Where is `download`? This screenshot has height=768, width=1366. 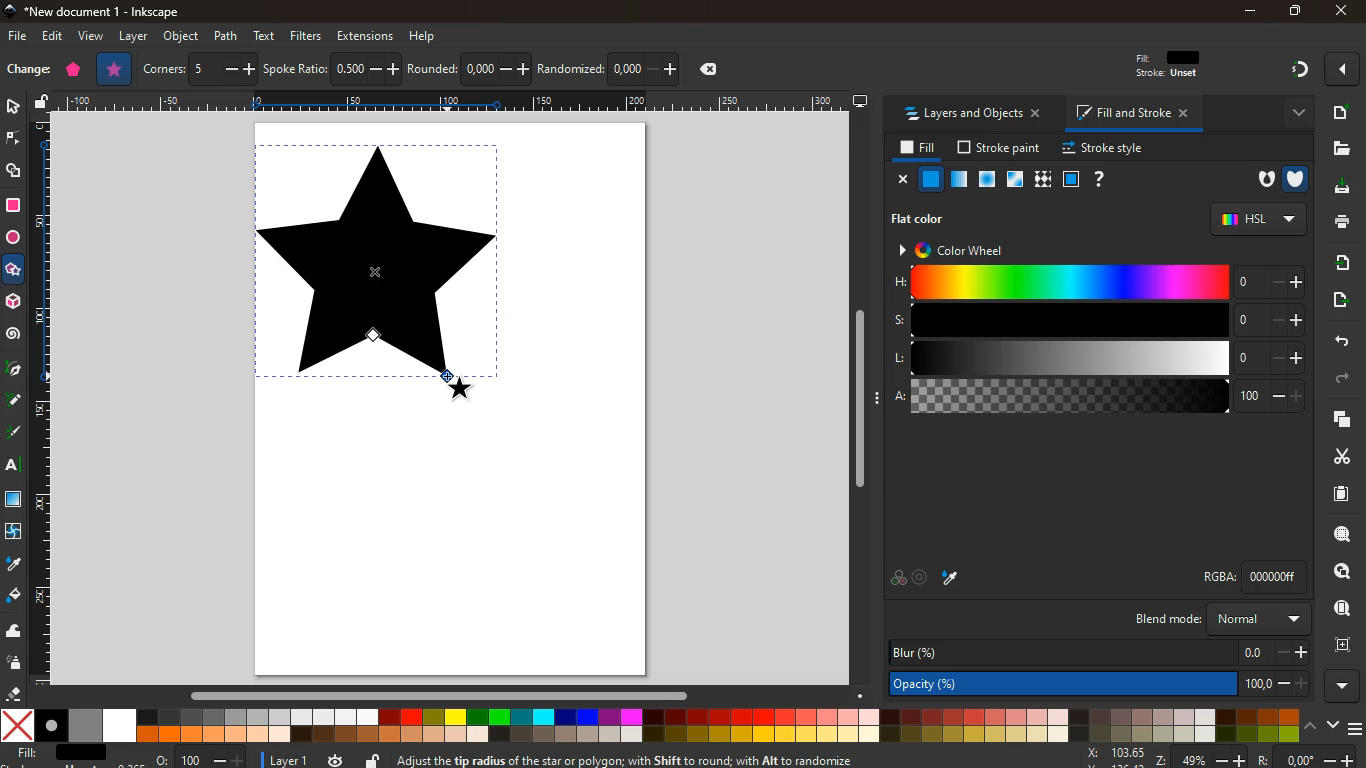
download is located at coordinates (1342, 188).